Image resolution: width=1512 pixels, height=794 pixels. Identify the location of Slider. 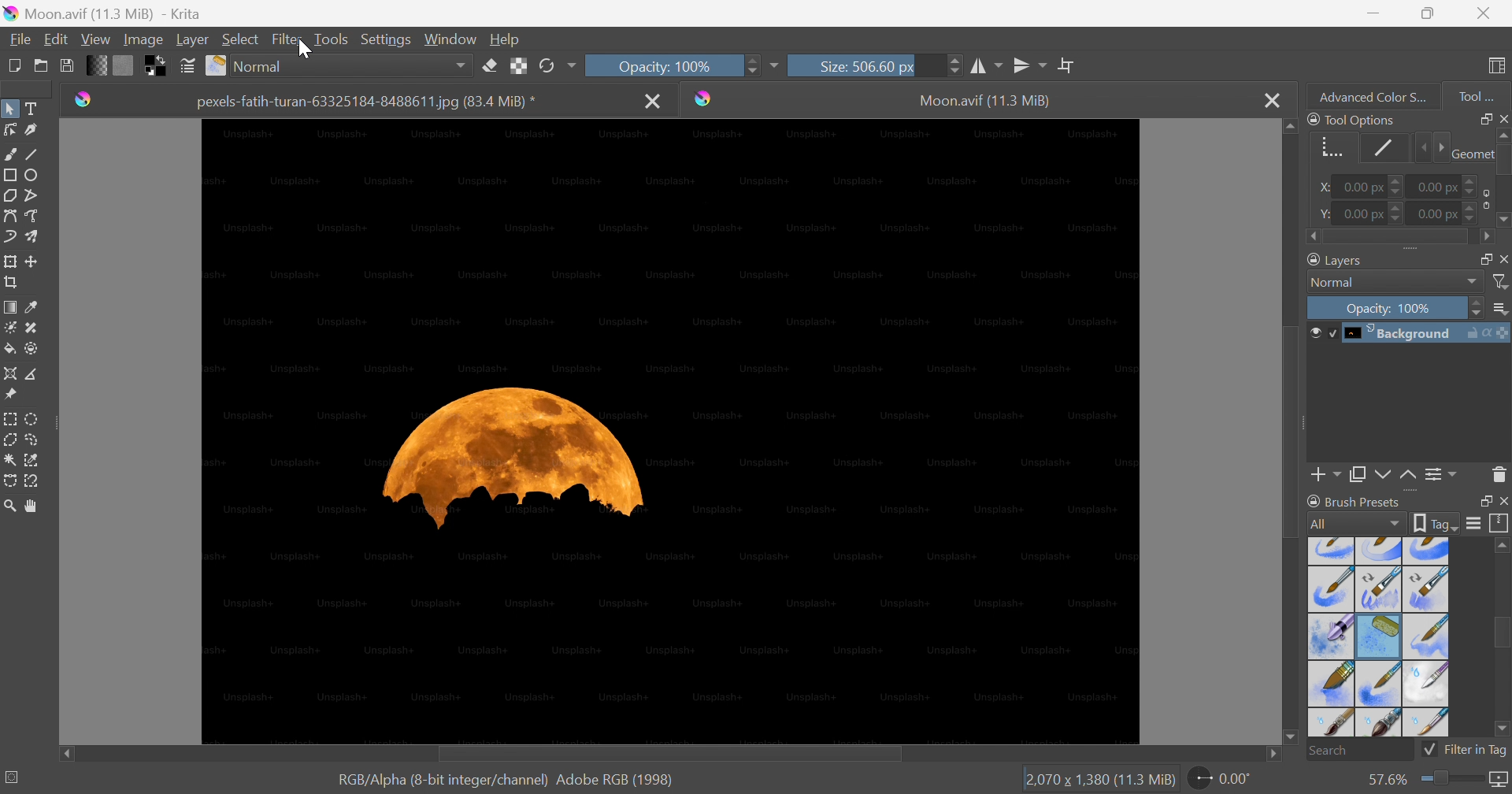
(1454, 781).